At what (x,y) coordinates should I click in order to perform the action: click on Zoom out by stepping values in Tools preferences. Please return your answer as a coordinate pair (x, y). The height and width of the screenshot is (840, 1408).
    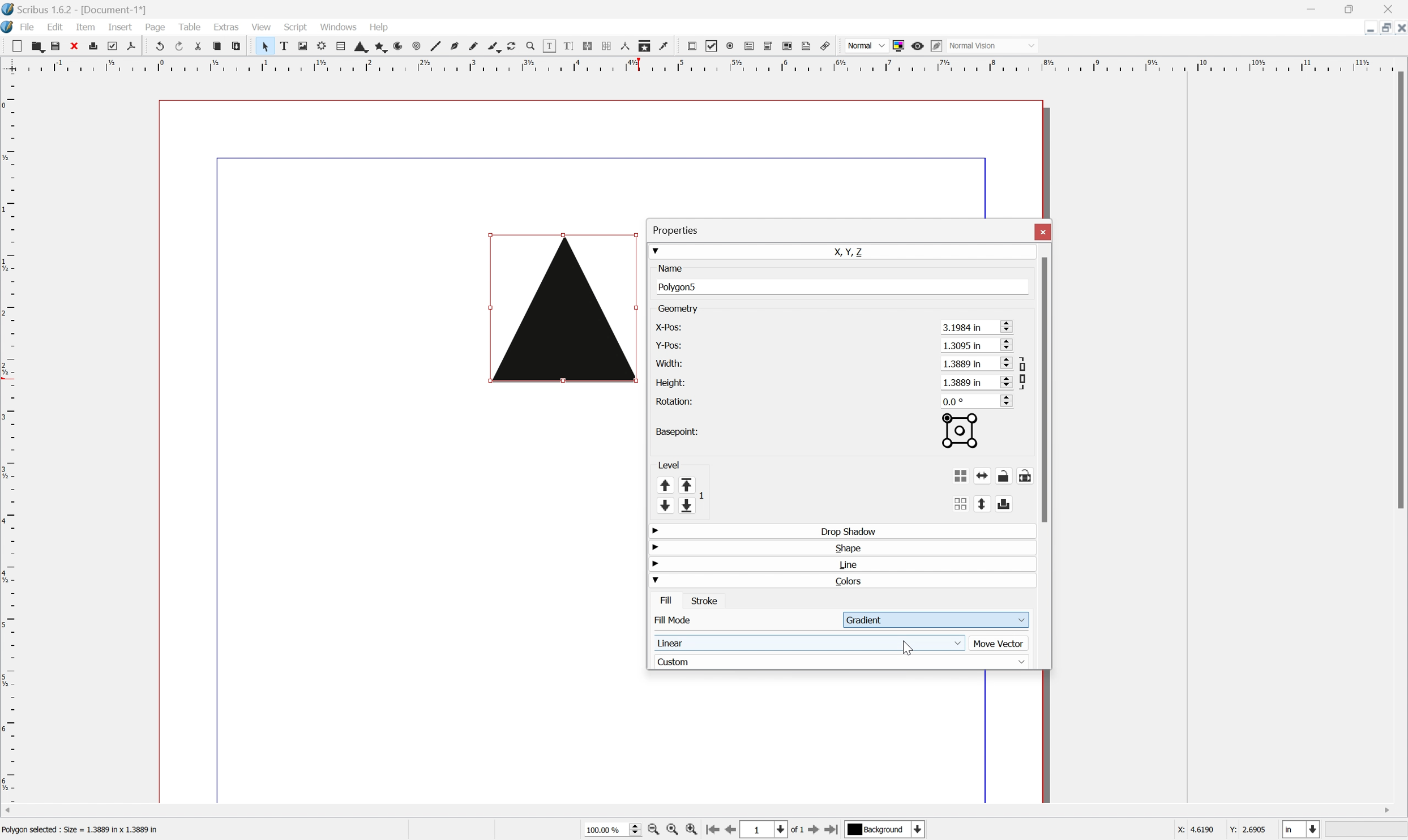
    Looking at the image, I should click on (654, 830).